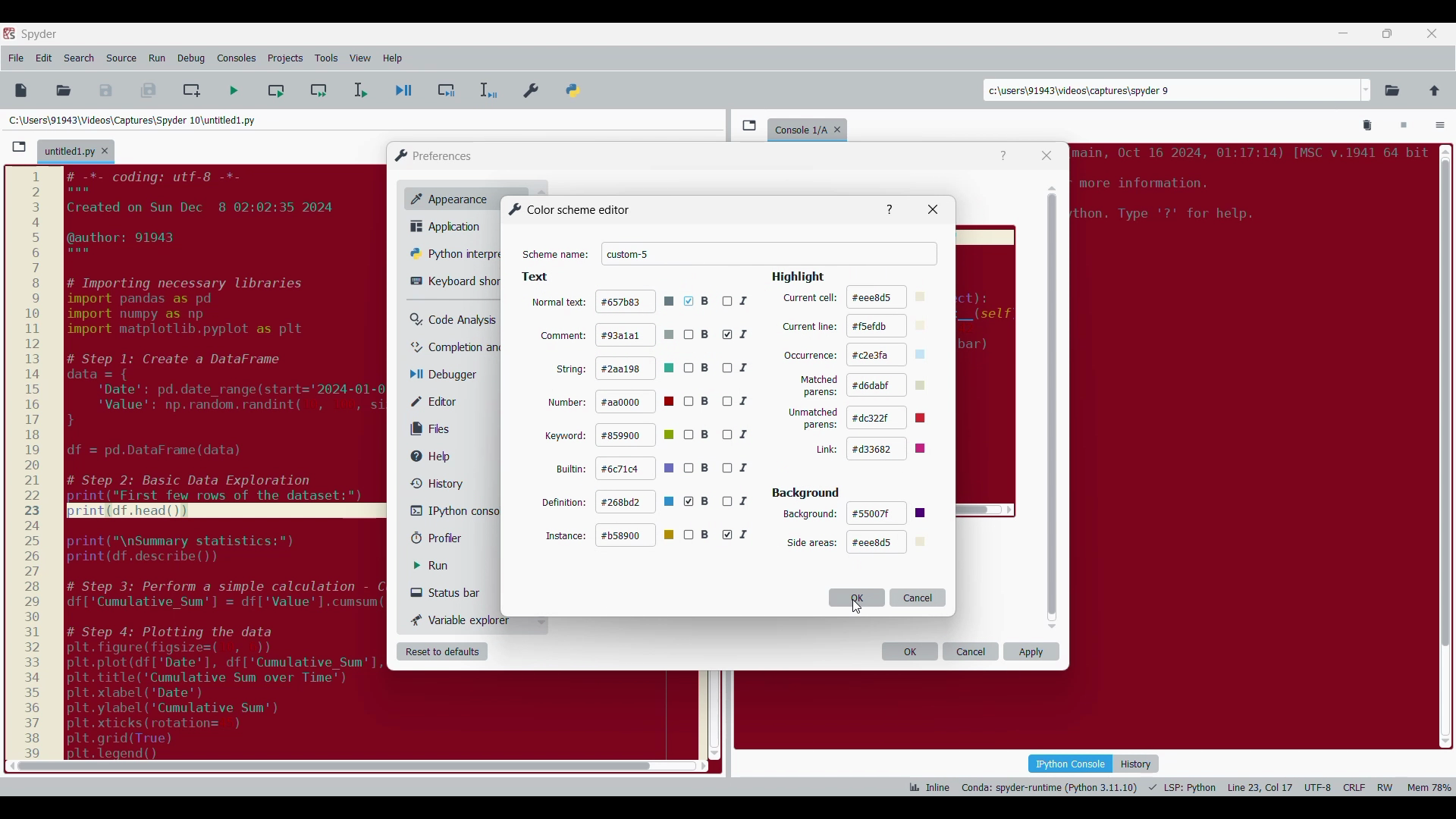  What do you see at coordinates (1435, 90) in the screenshot?
I see `Change to parent directory` at bounding box center [1435, 90].